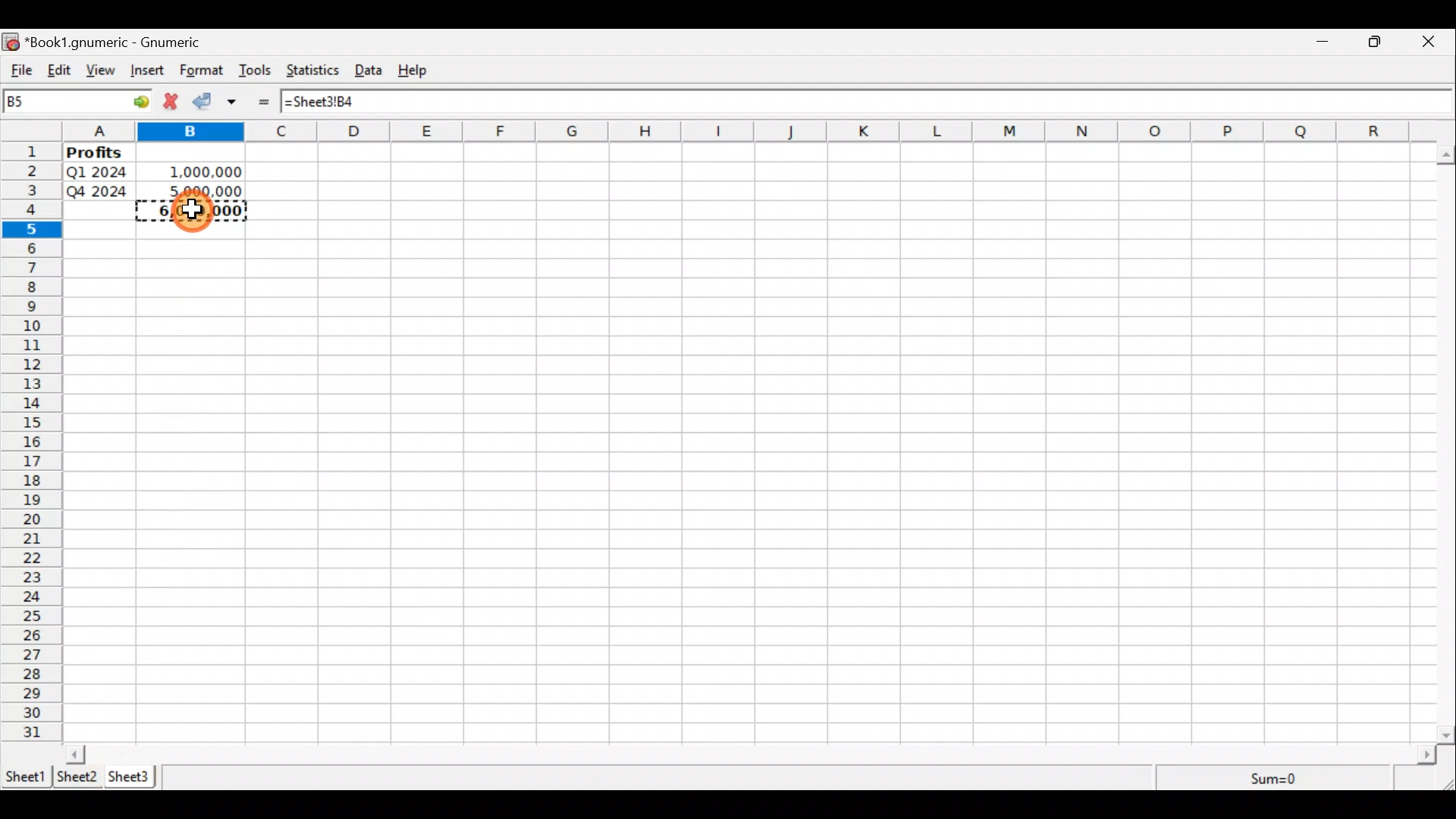 This screenshot has width=1456, height=819. Describe the element at coordinates (76, 754) in the screenshot. I see `scroll left` at that location.